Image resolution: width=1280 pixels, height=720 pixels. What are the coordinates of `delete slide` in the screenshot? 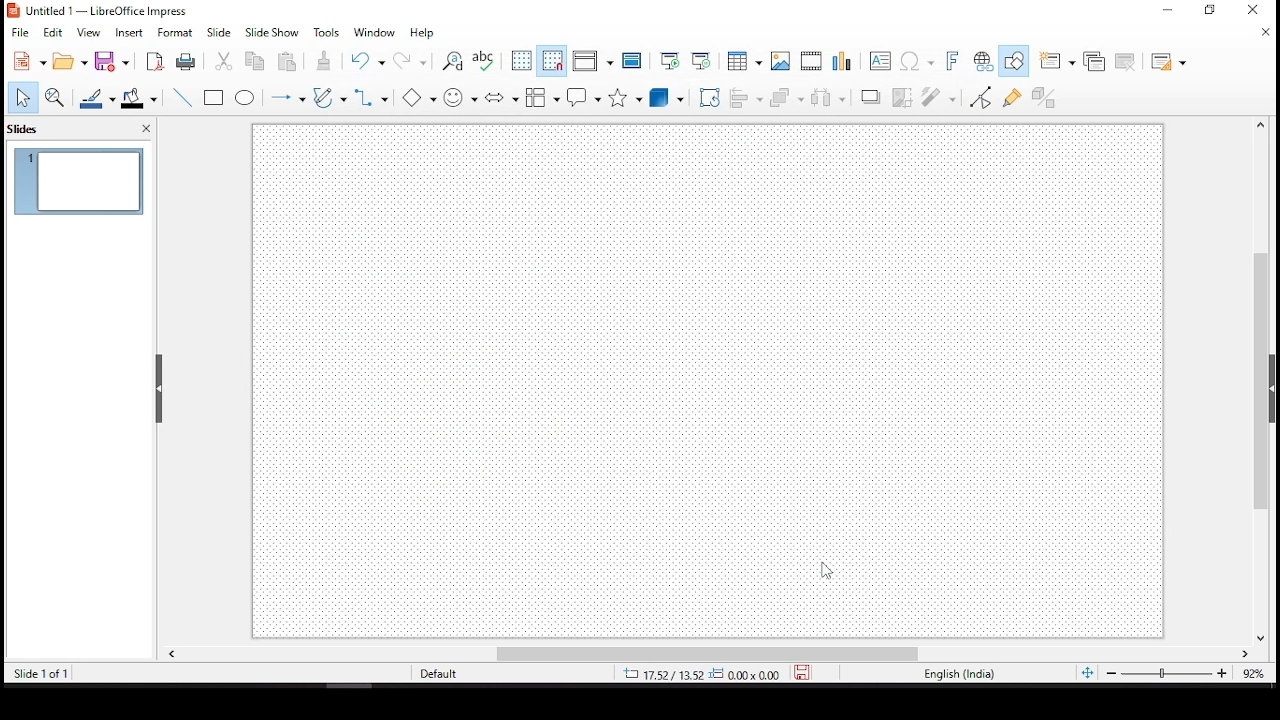 It's located at (1123, 60).